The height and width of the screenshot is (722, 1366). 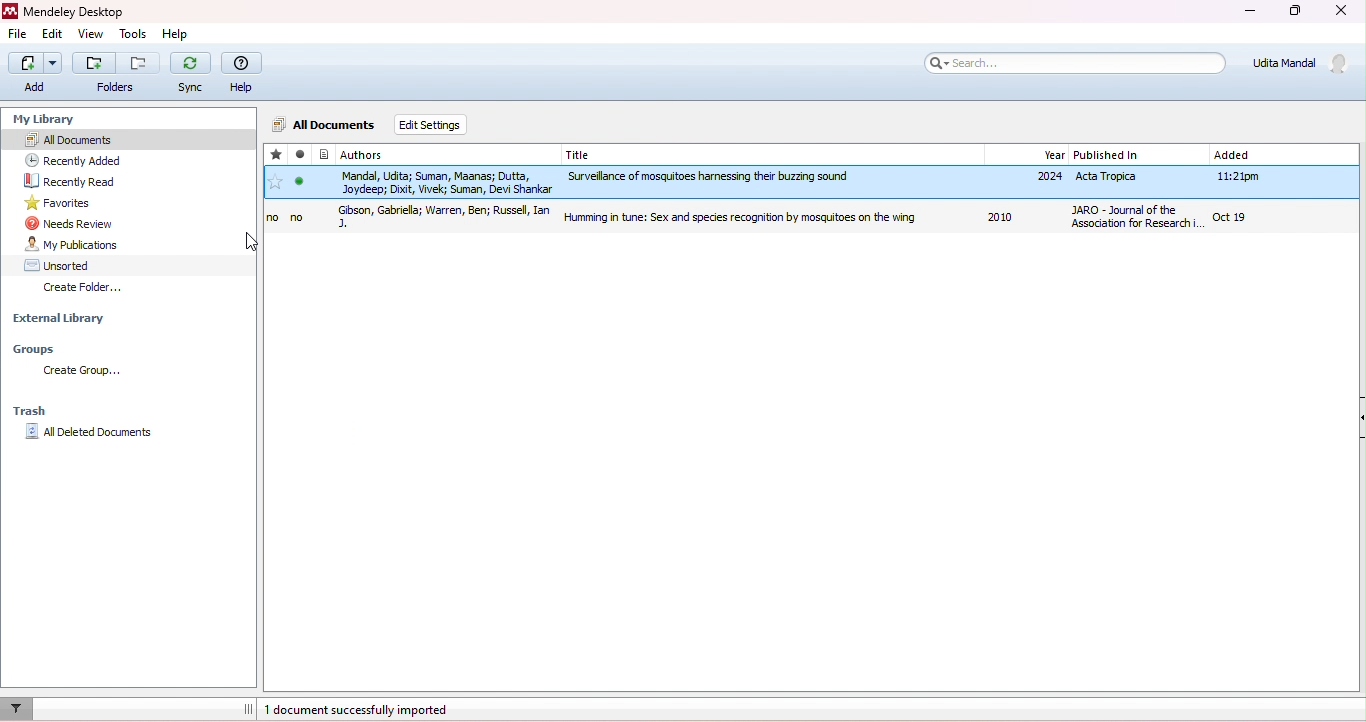 I want to click on recently added, so click(x=71, y=161).